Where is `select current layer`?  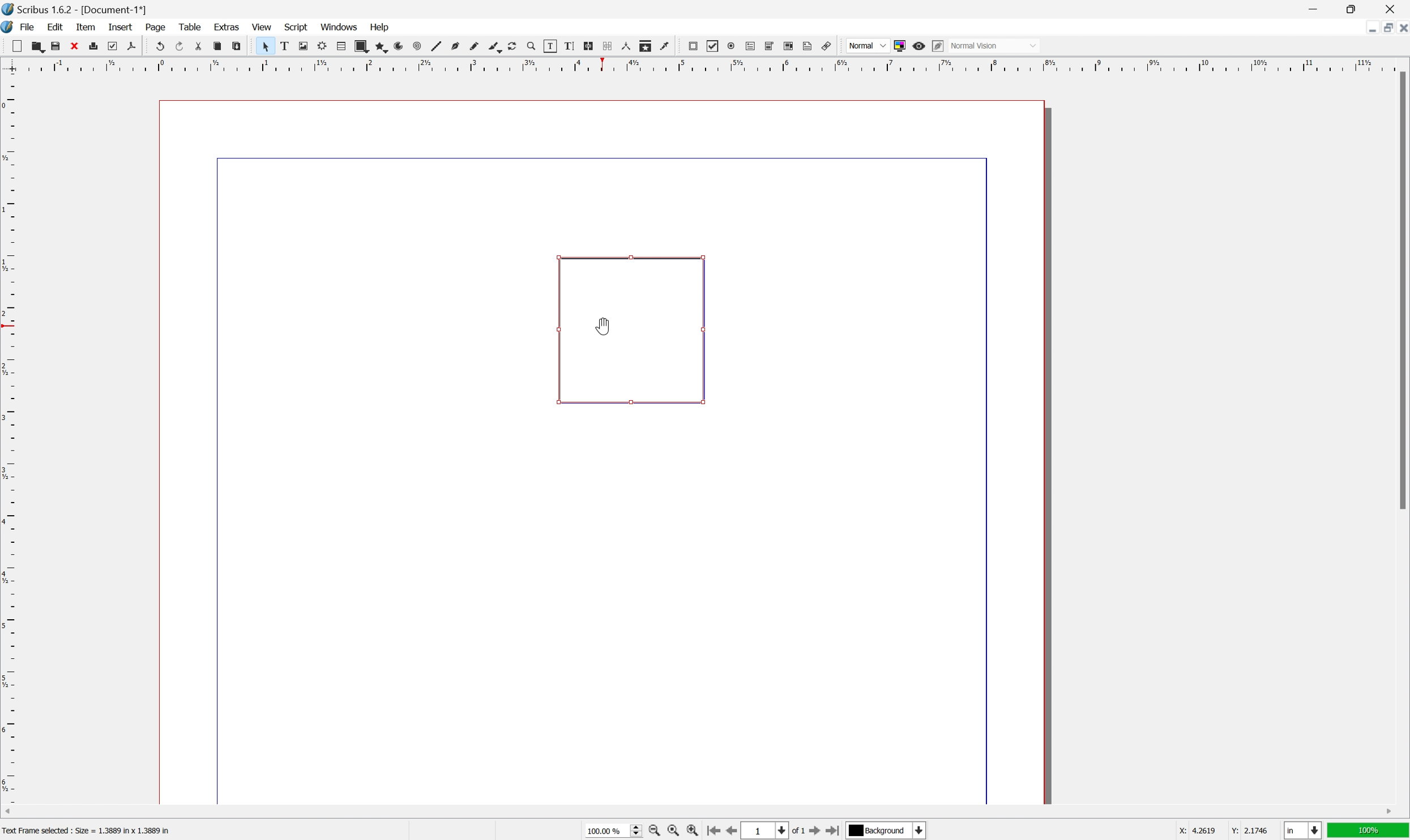
select current layer is located at coordinates (888, 831).